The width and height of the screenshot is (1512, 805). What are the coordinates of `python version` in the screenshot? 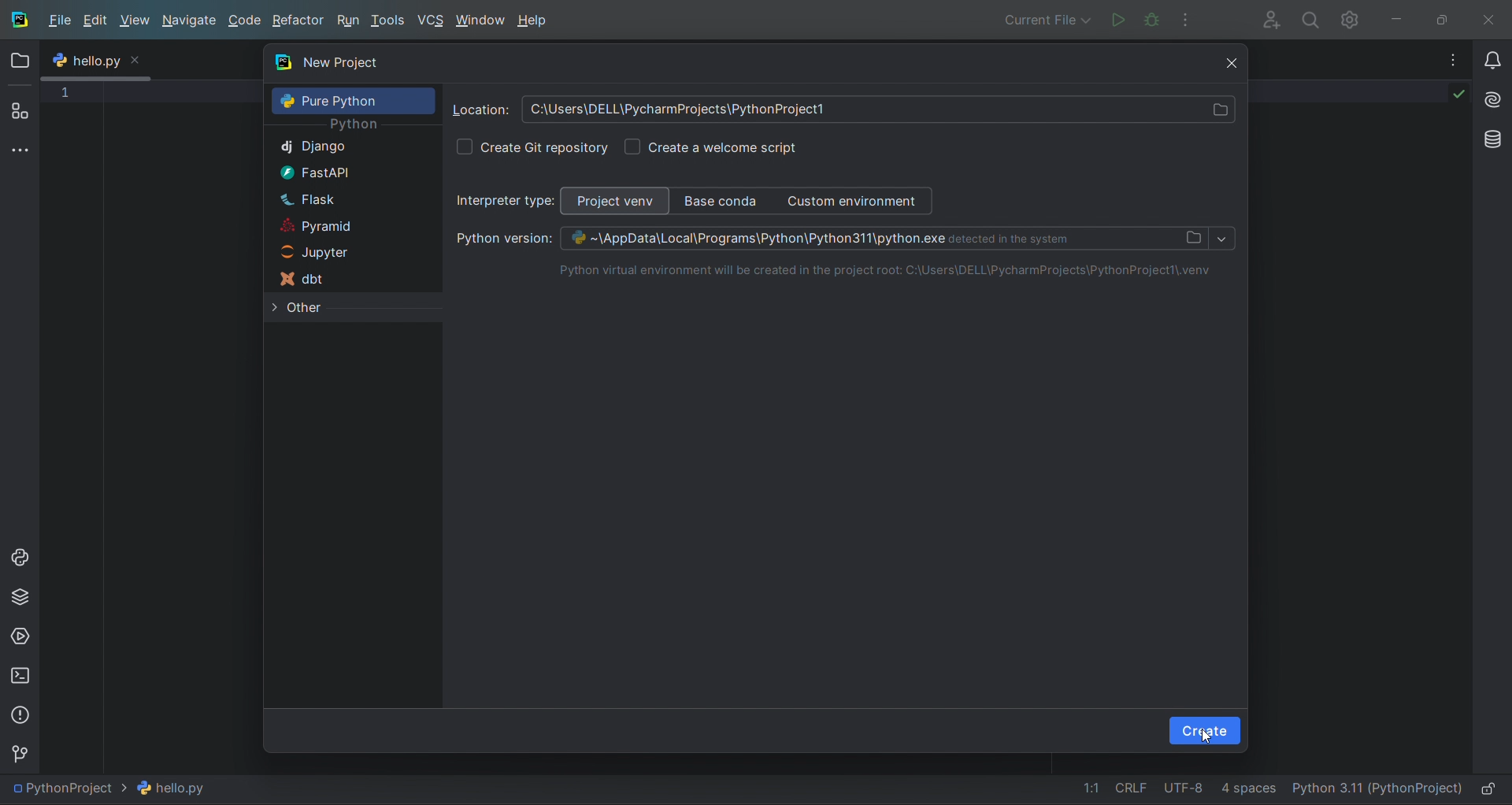 It's located at (884, 238).